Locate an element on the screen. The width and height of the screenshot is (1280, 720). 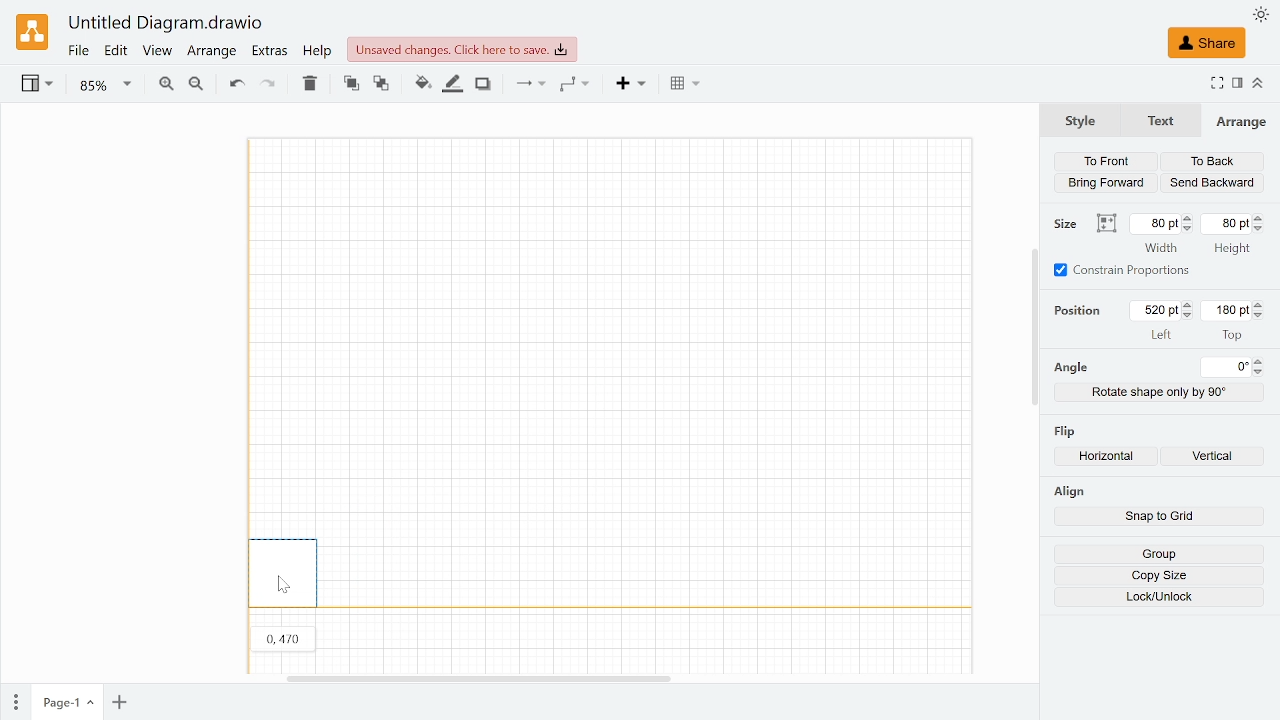
Decrease top is located at coordinates (1261, 316).